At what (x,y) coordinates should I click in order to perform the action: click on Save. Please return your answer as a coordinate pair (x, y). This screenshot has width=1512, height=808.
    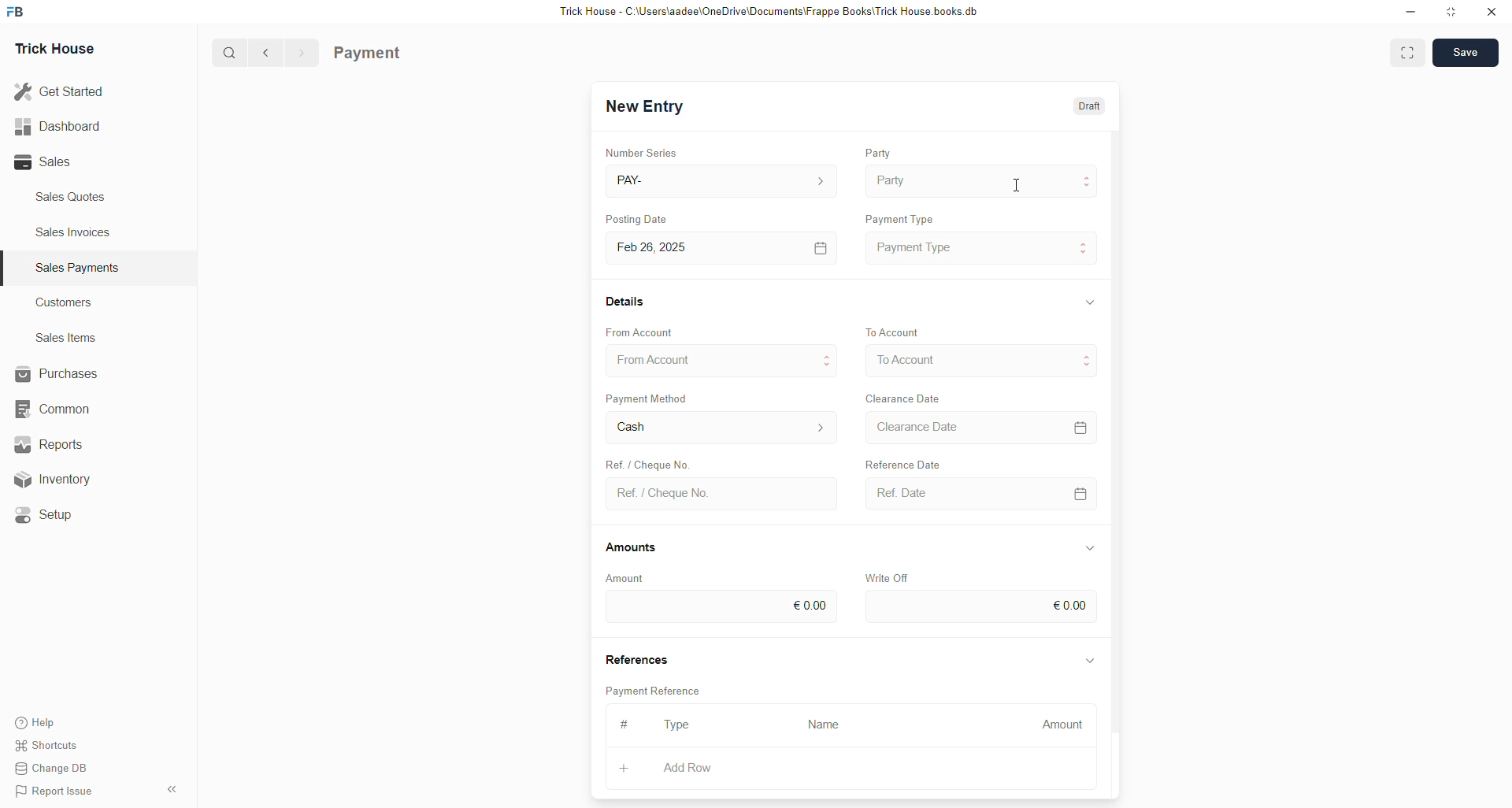
    Looking at the image, I should click on (1465, 52).